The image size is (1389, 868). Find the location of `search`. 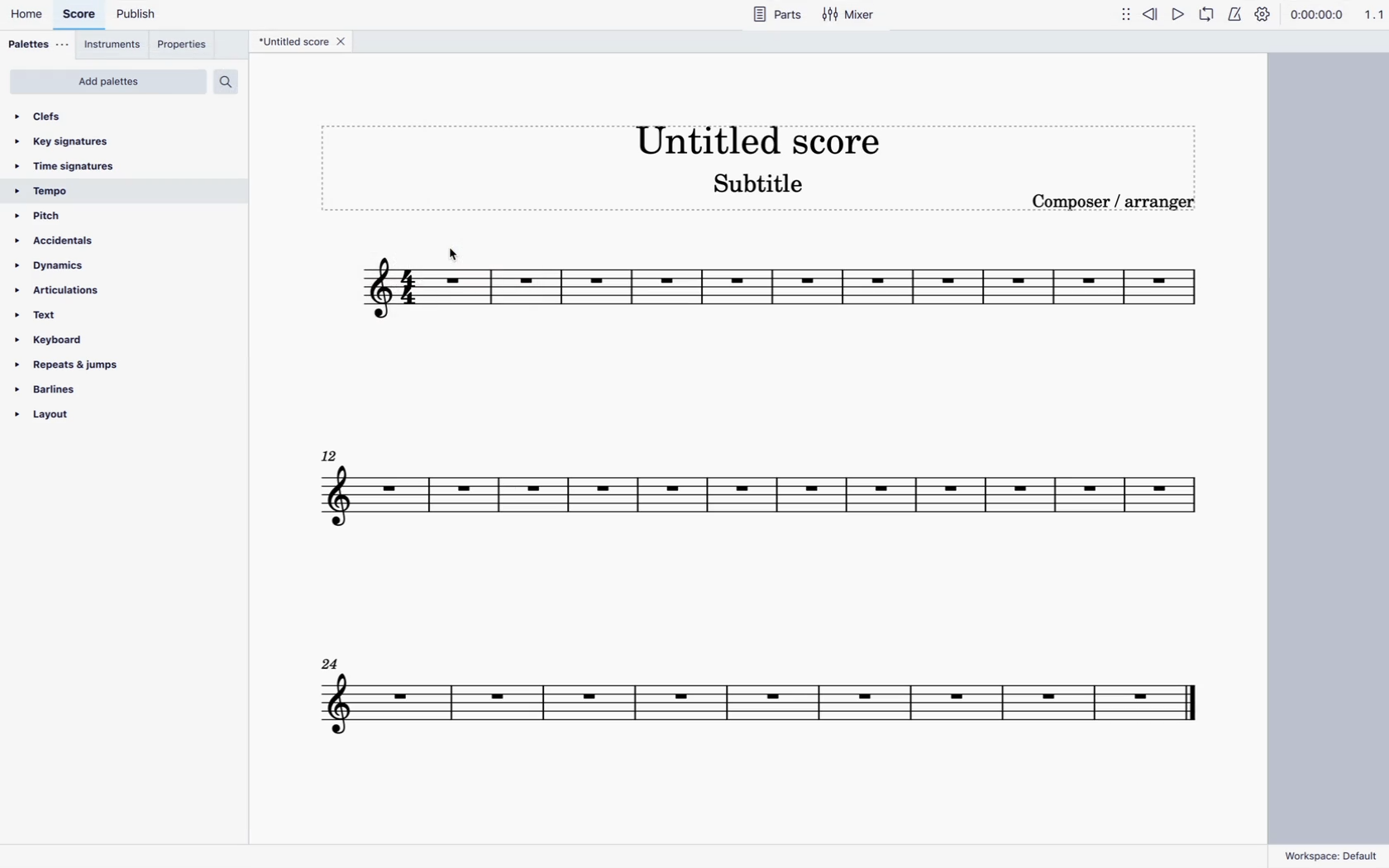

search is located at coordinates (231, 82).